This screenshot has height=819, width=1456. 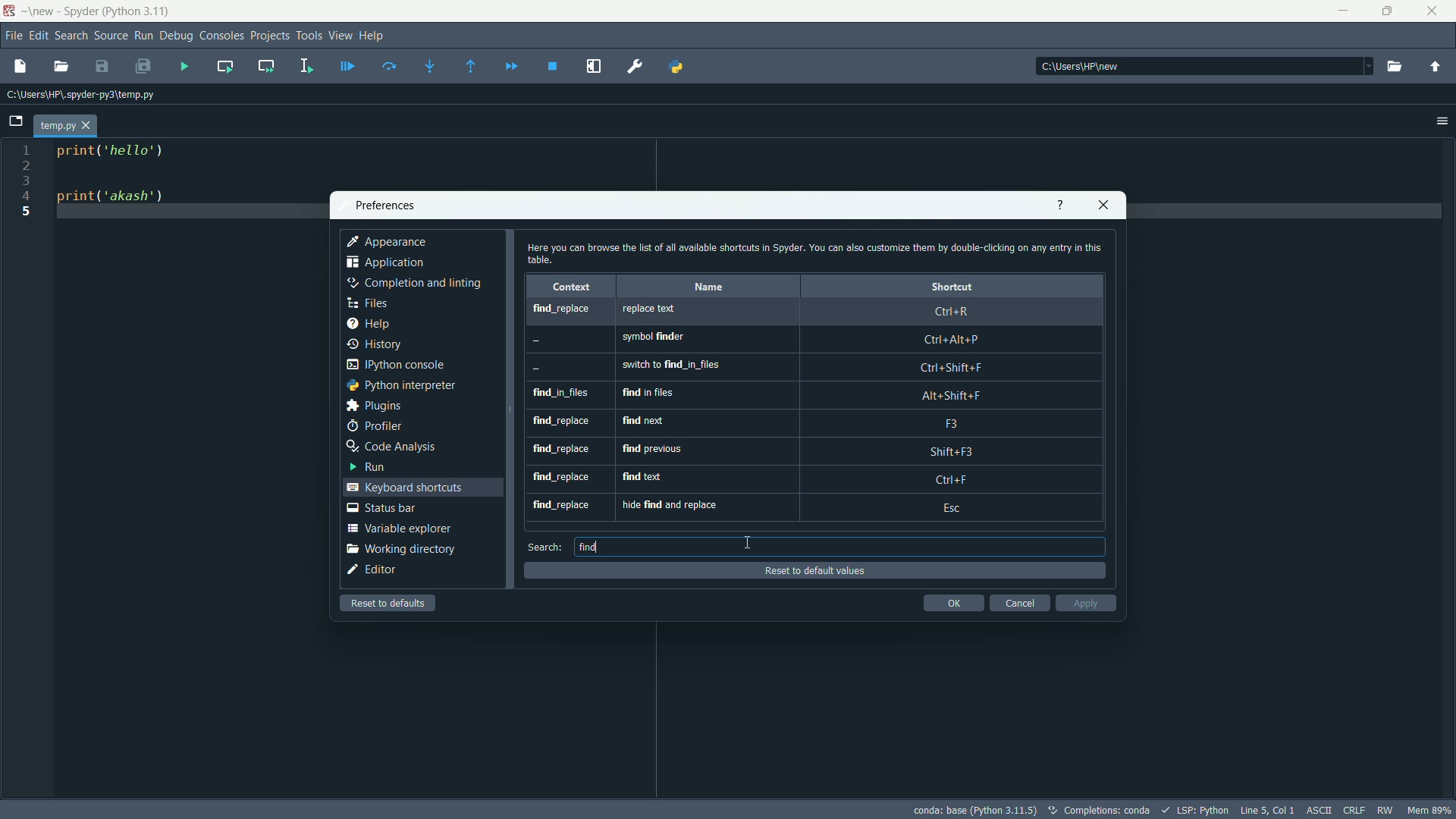 What do you see at coordinates (391, 65) in the screenshot?
I see `run current line` at bounding box center [391, 65].